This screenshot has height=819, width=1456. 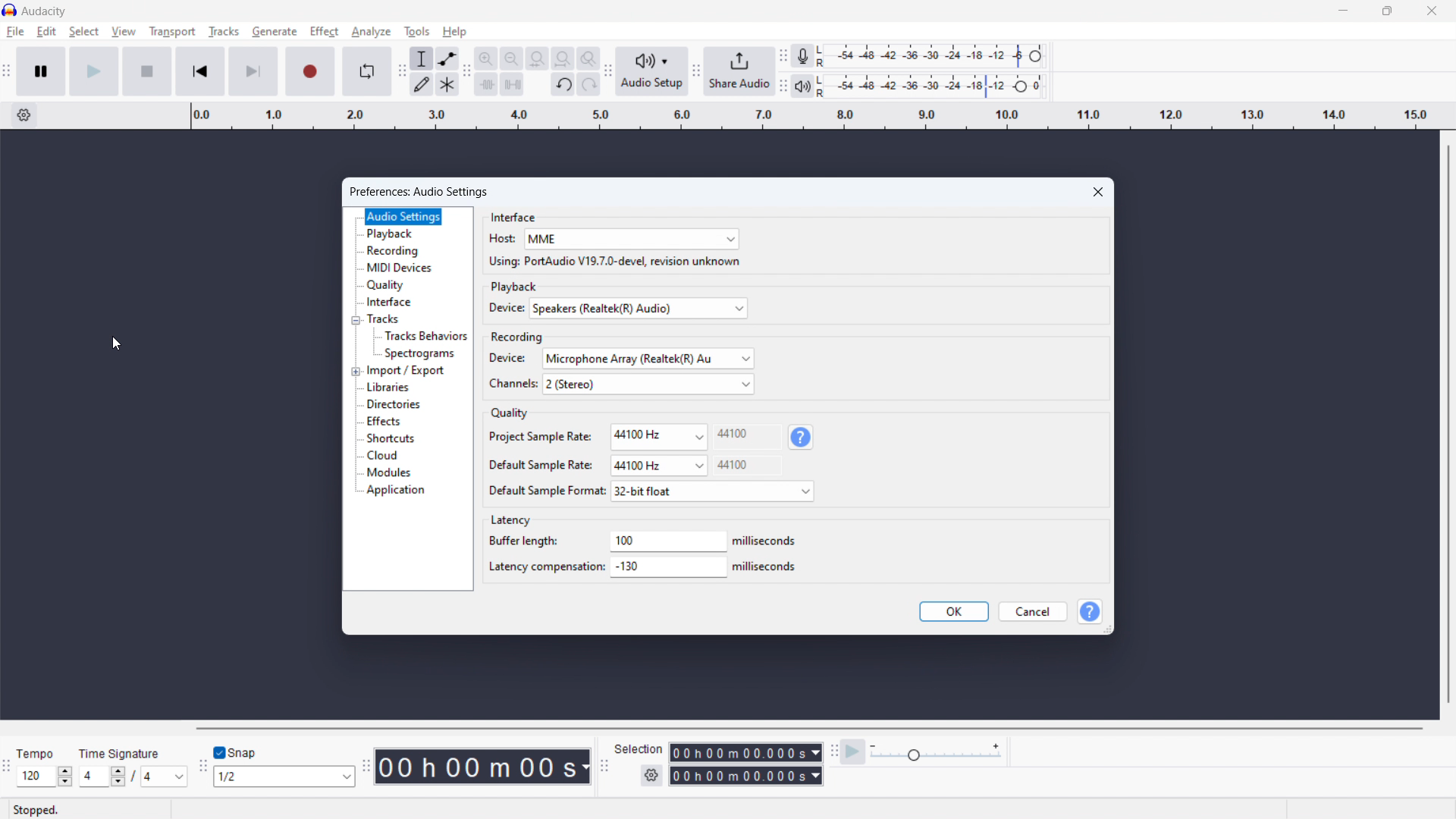 I want to click on play, so click(x=95, y=72).